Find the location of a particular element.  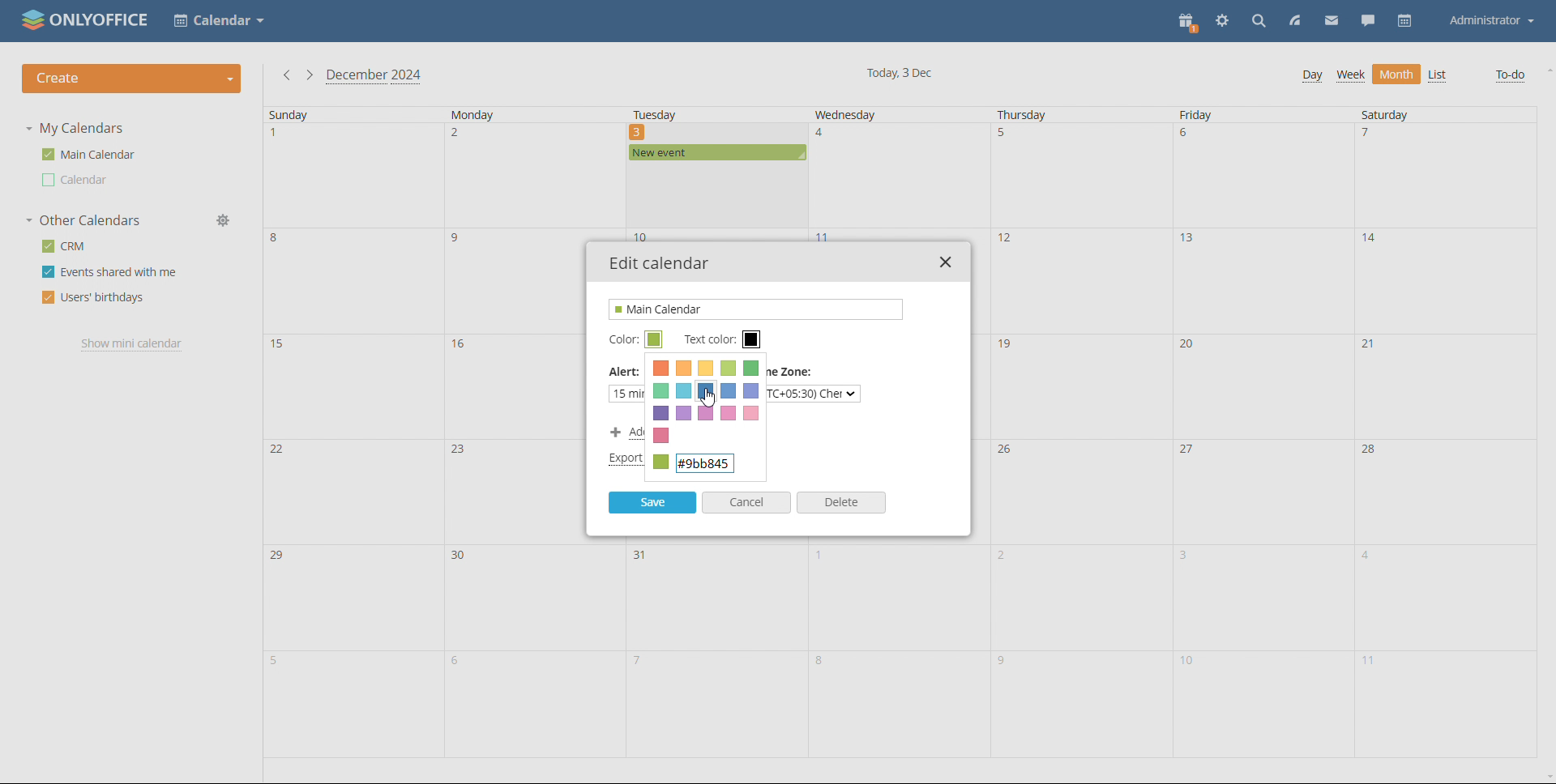

date is located at coordinates (1263, 386).